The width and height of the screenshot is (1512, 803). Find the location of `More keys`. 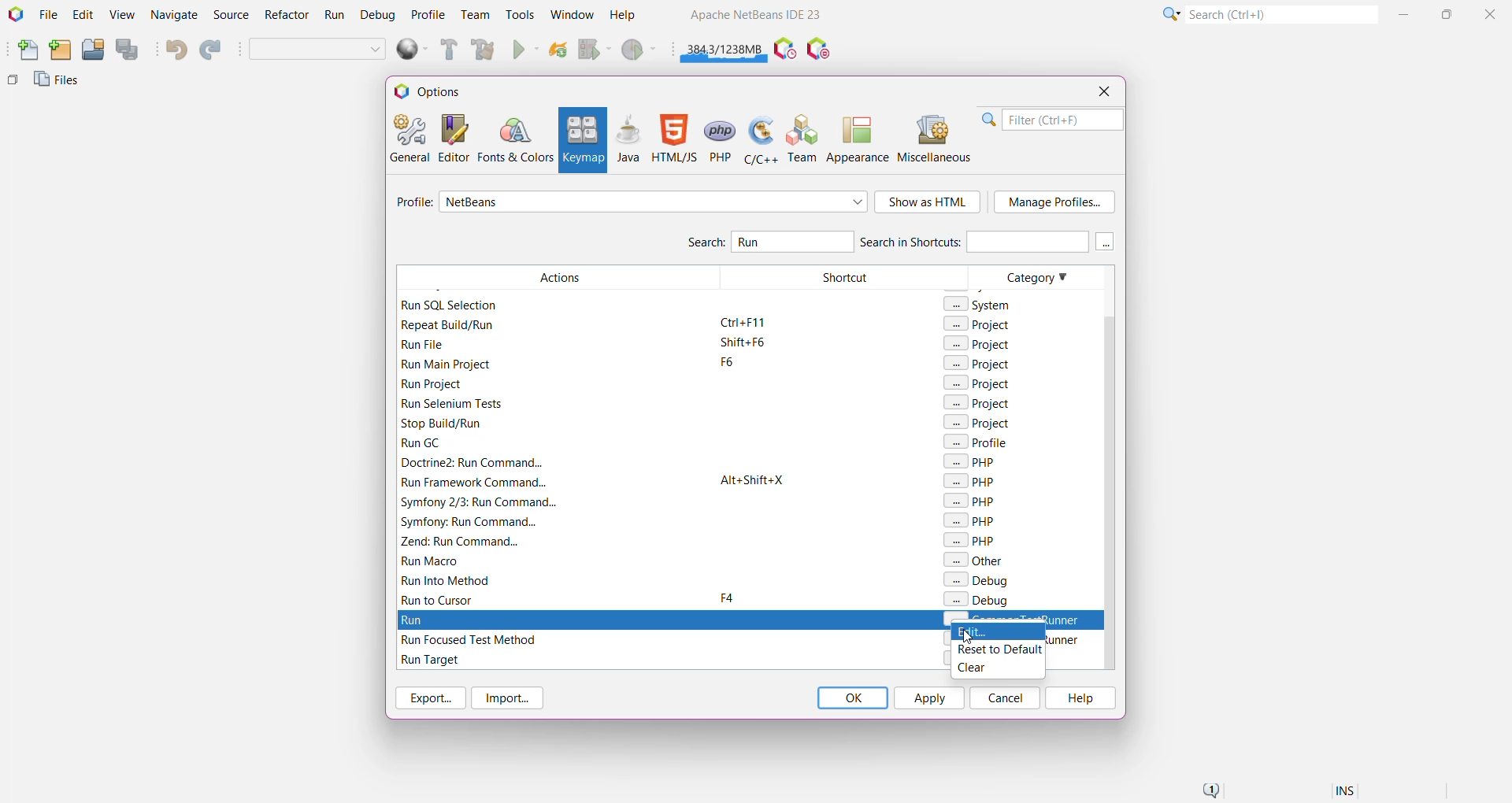

More keys is located at coordinates (1106, 242).